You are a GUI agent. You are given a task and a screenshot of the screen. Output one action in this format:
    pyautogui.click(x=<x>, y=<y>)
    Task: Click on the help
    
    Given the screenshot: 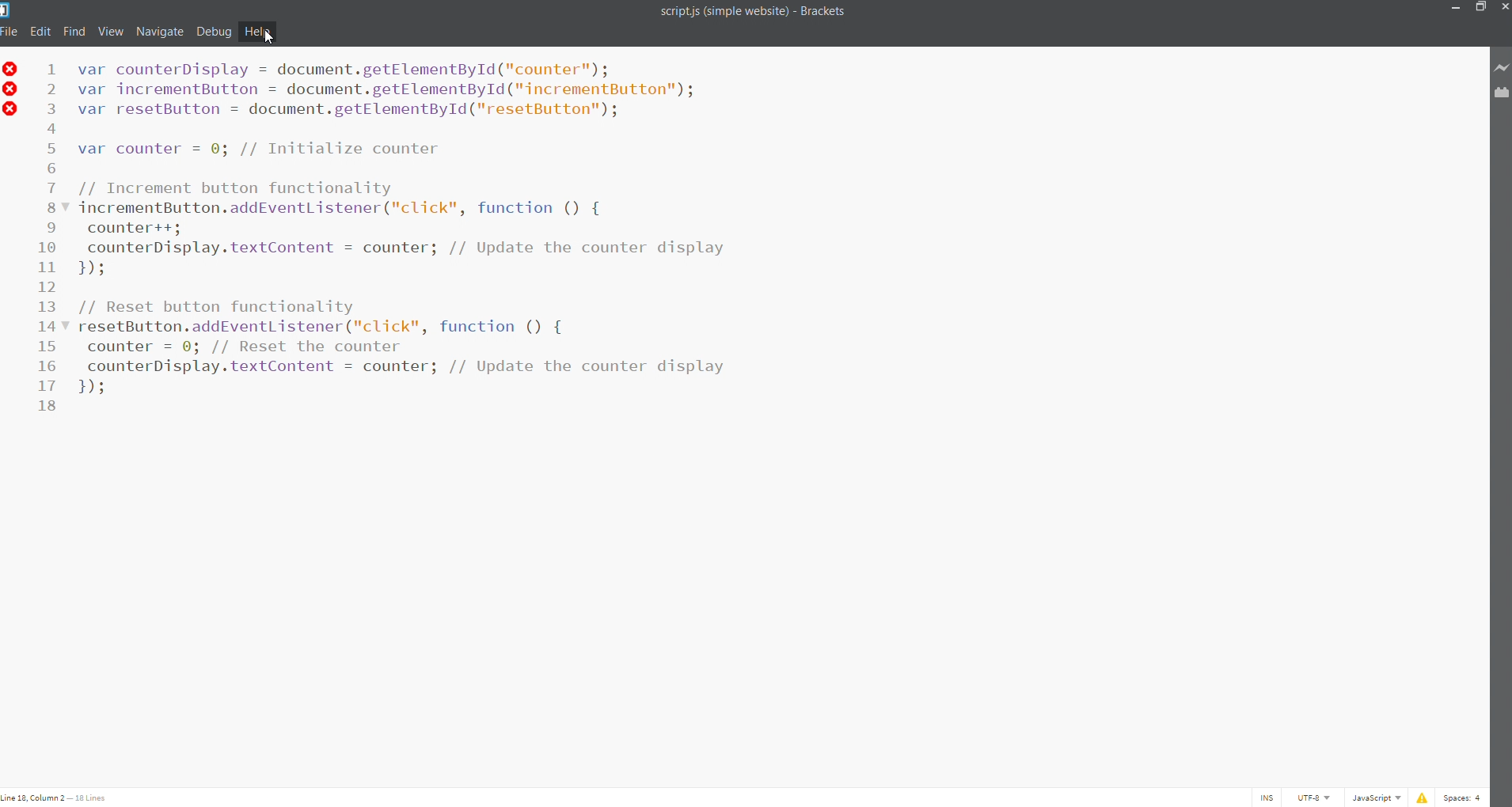 What is the action you would take?
    pyautogui.click(x=256, y=31)
    